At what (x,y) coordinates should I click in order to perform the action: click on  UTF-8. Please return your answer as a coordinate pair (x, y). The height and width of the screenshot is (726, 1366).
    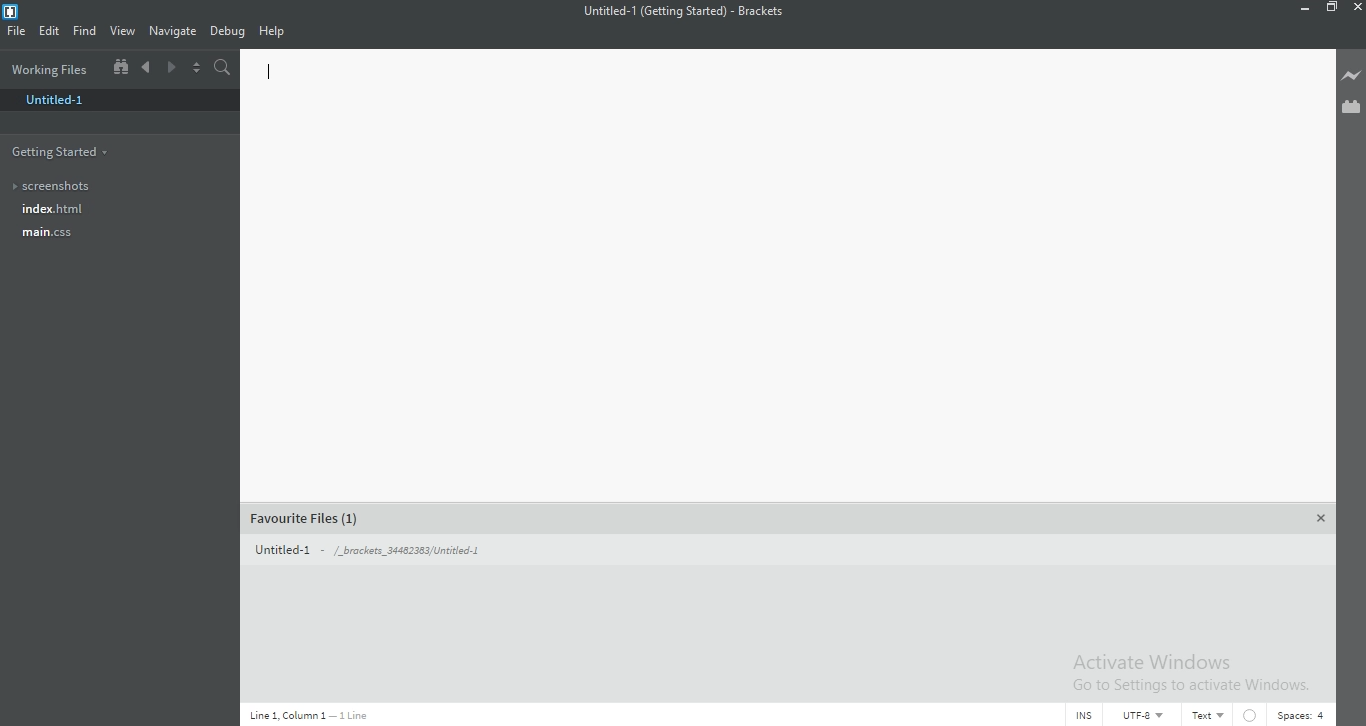
    Looking at the image, I should click on (1143, 717).